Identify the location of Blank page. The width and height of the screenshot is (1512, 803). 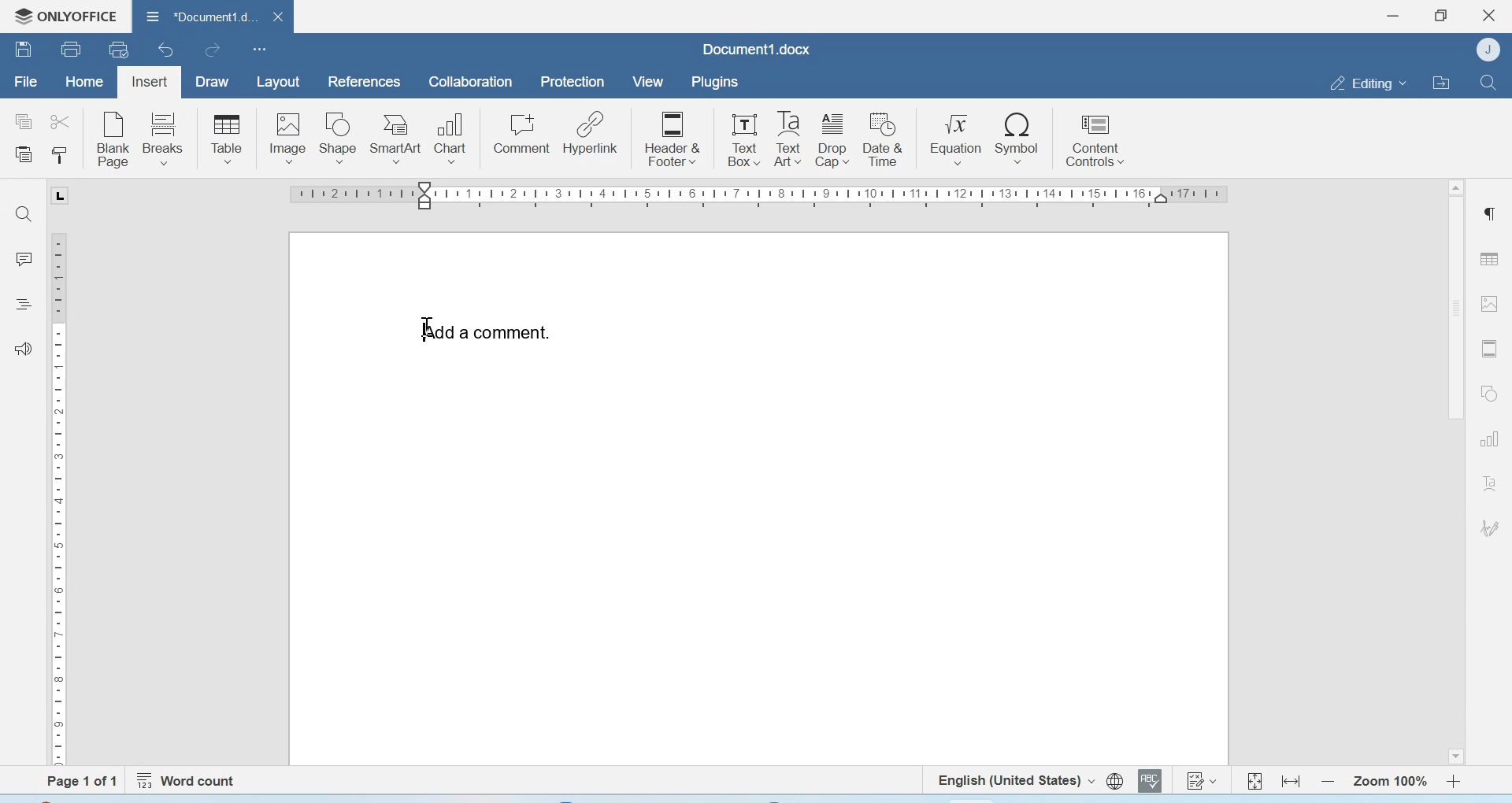
(114, 139).